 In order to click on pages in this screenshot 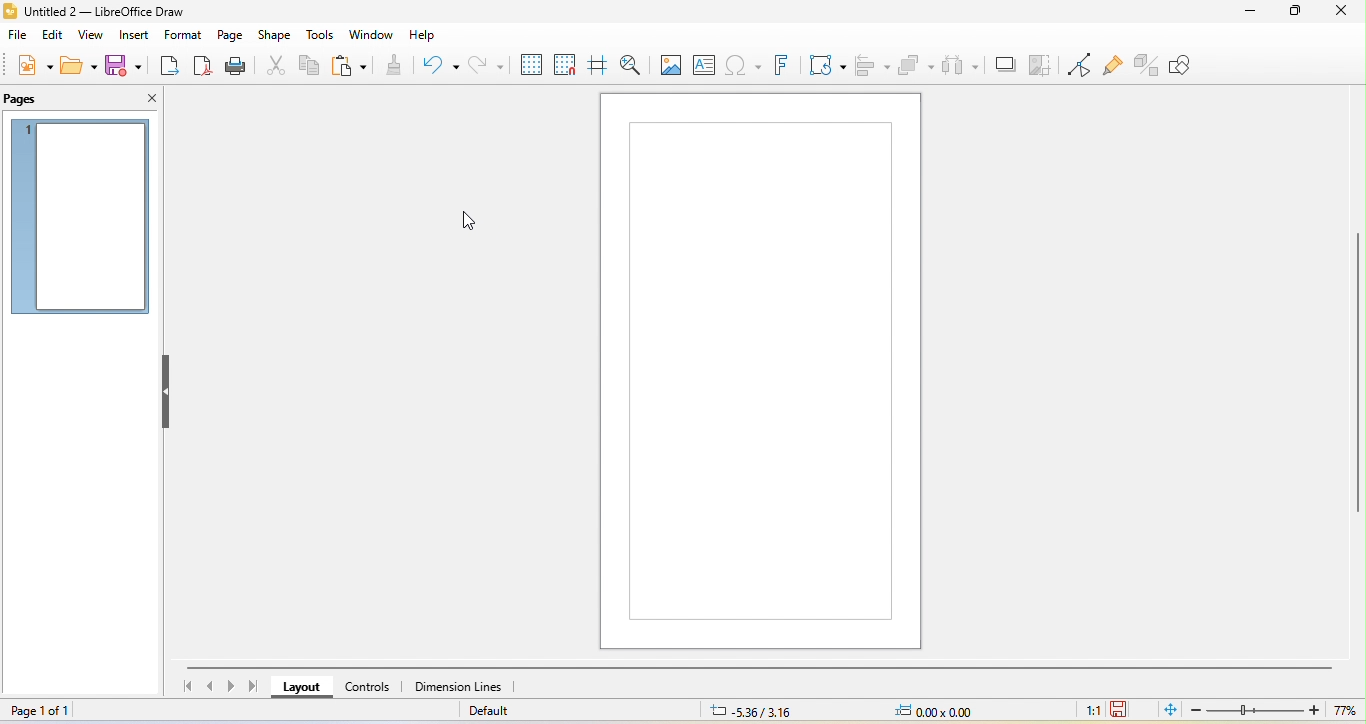, I will do `click(31, 99)`.